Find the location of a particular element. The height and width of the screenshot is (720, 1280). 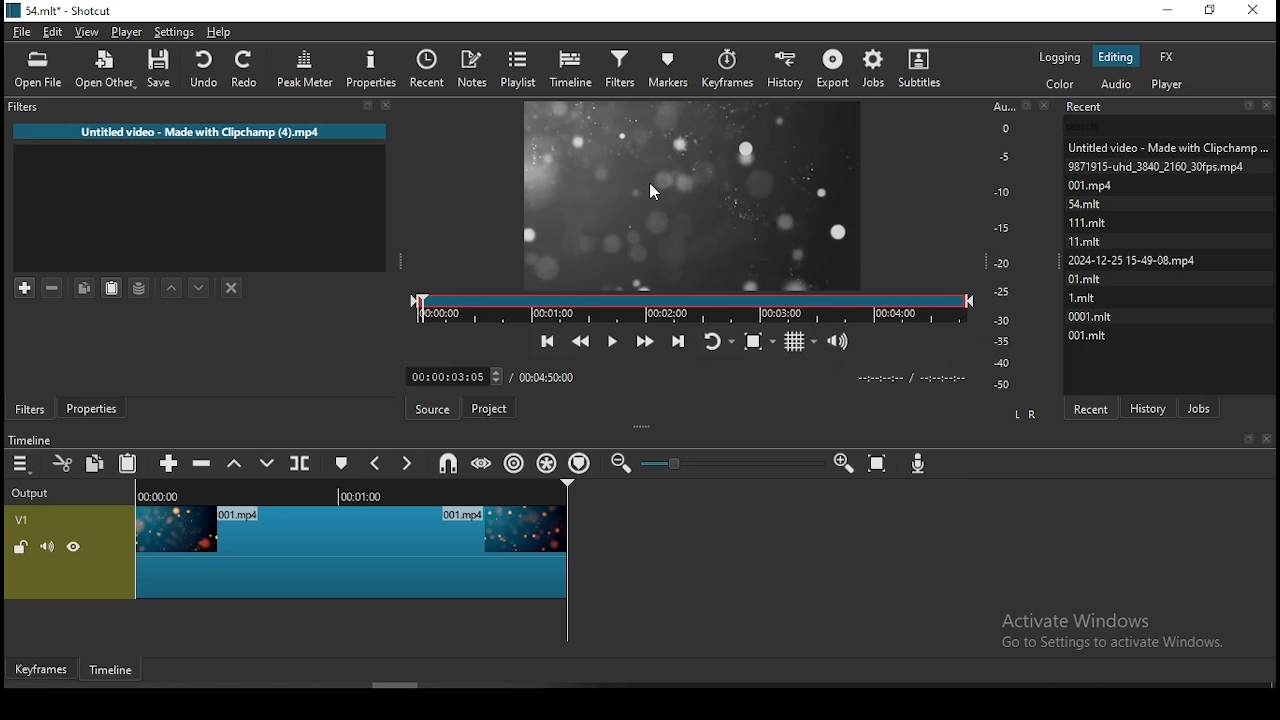

filters is located at coordinates (28, 409).